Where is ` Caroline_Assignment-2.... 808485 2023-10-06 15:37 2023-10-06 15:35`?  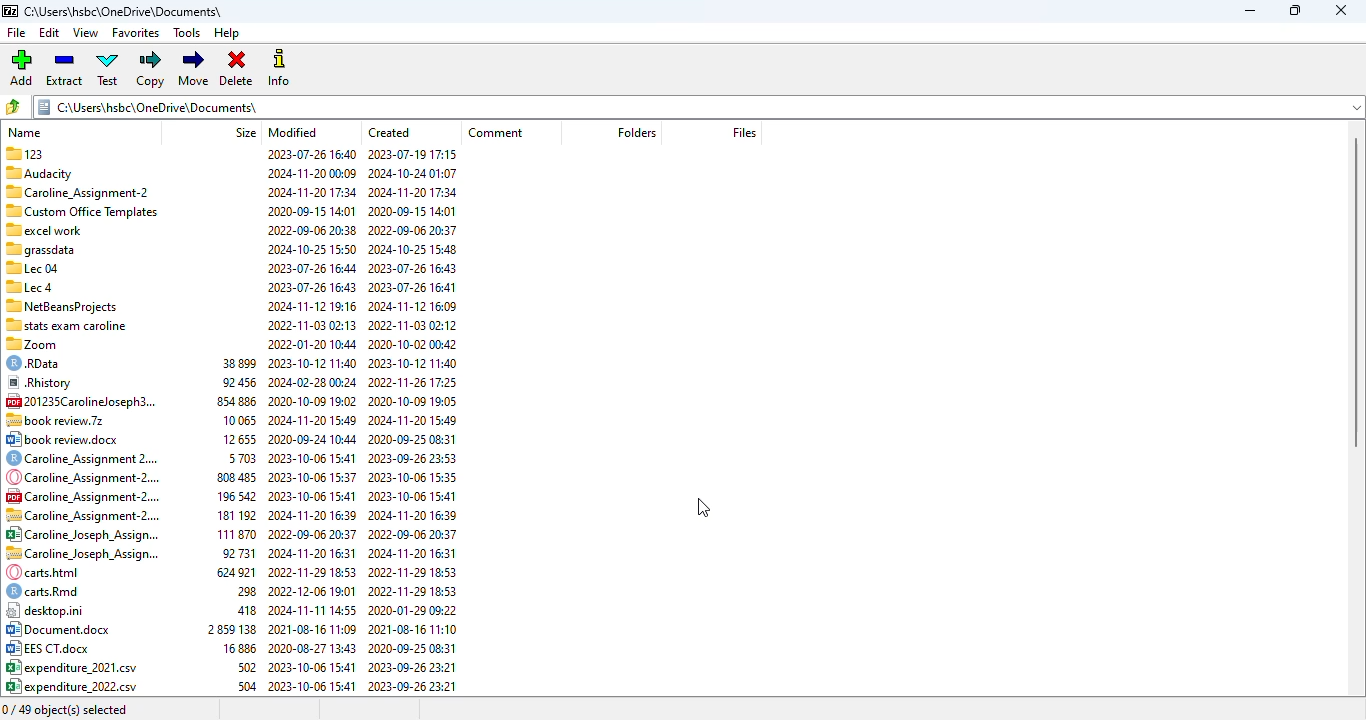
 Caroline_Assignment-2.... 808485 2023-10-06 15:37 2023-10-06 15:35 is located at coordinates (232, 458).